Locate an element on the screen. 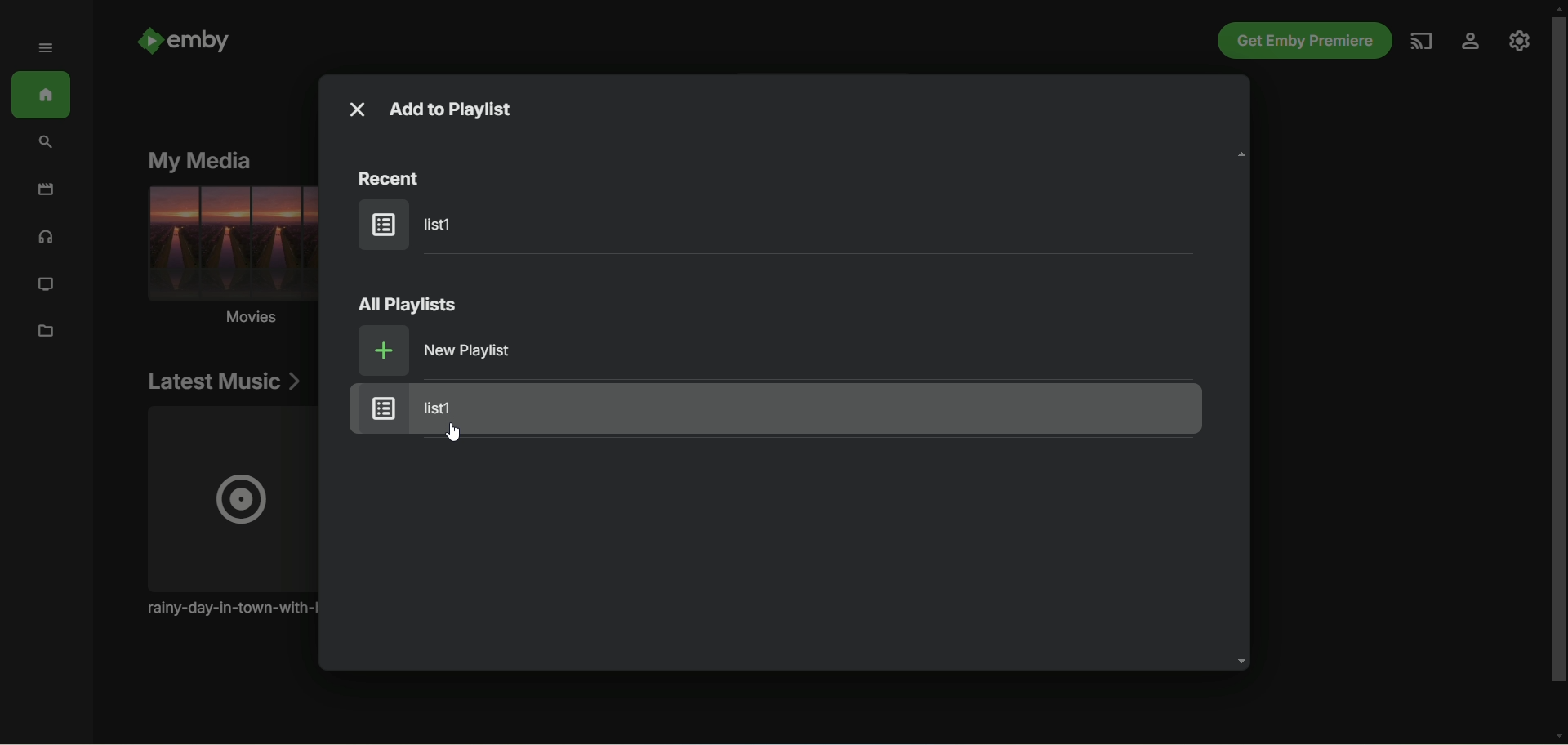  expand is located at coordinates (47, 47).